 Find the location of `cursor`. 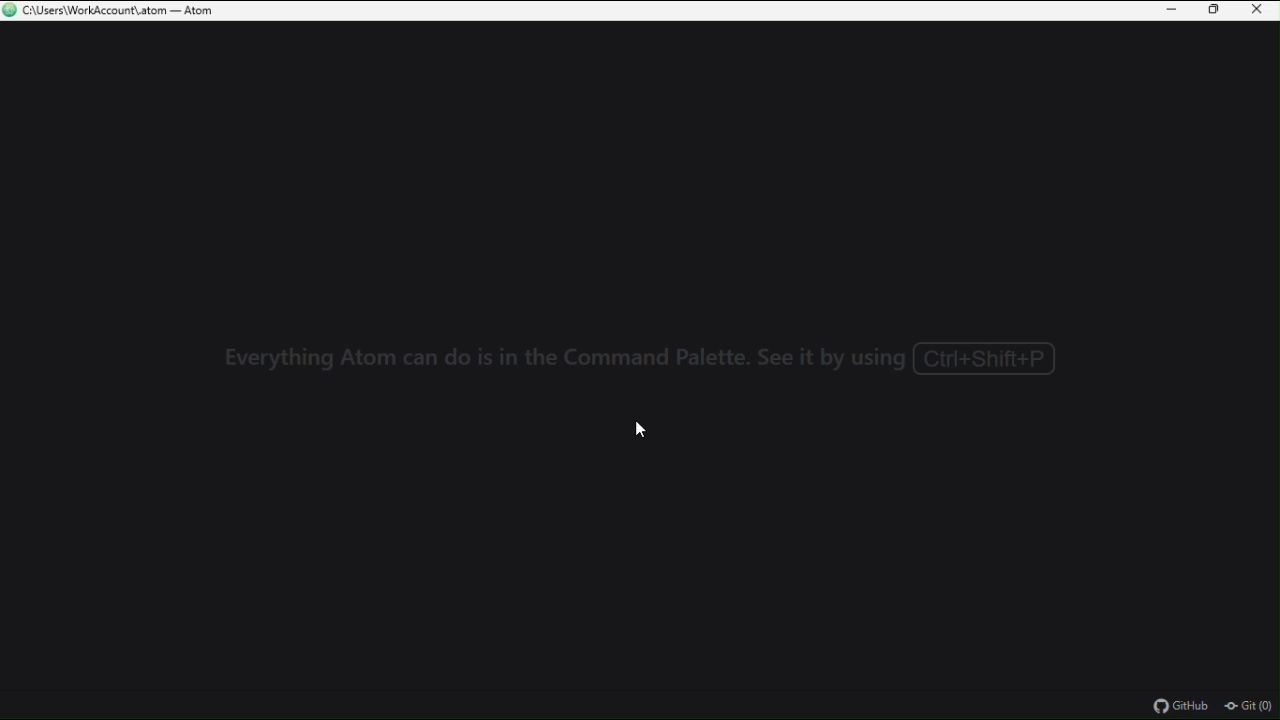

cursor is located at coordinates (638, 430).